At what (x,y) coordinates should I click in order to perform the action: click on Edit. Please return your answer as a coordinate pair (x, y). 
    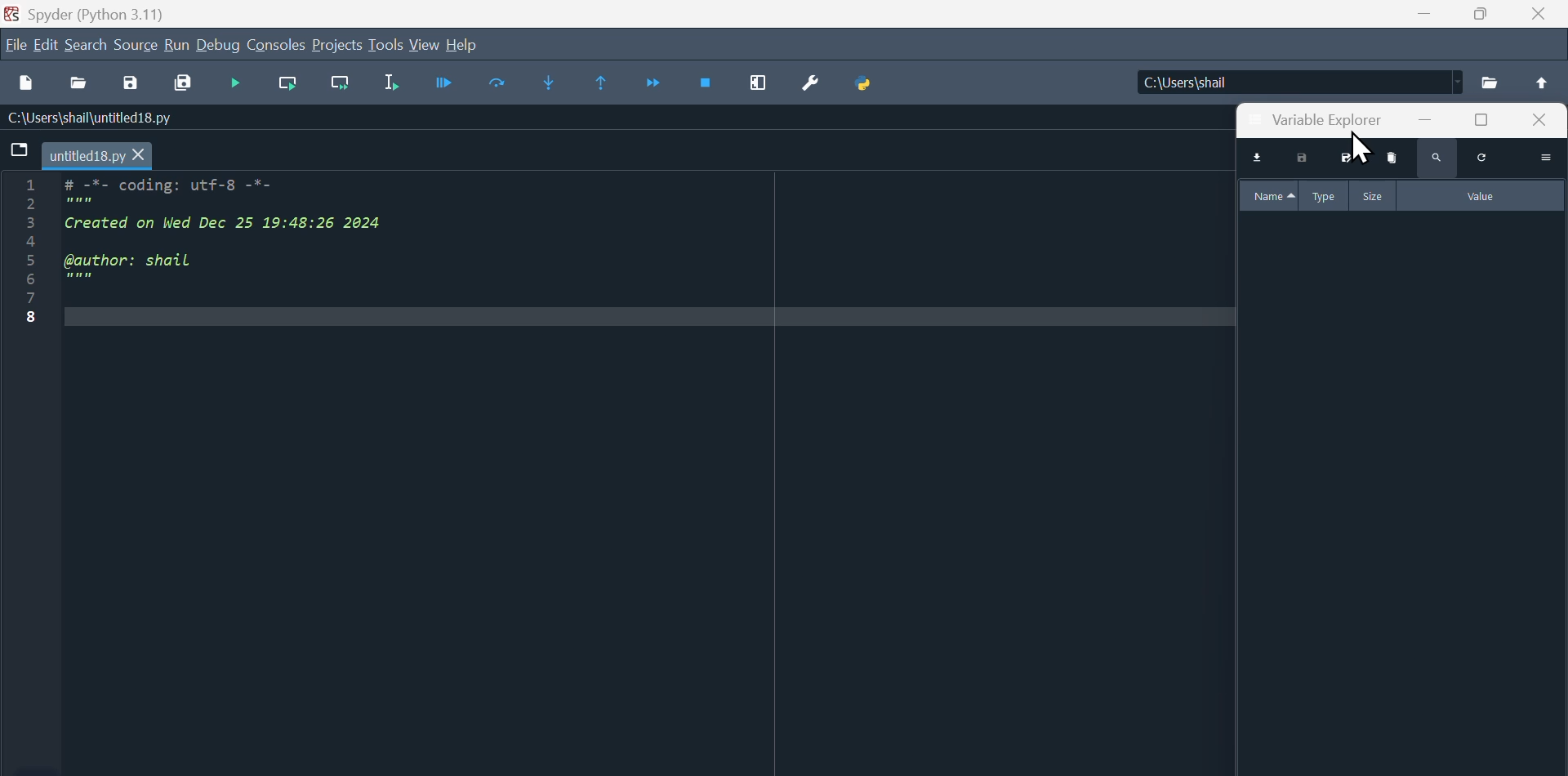
    Looking at the image, I should click on (47, 46).